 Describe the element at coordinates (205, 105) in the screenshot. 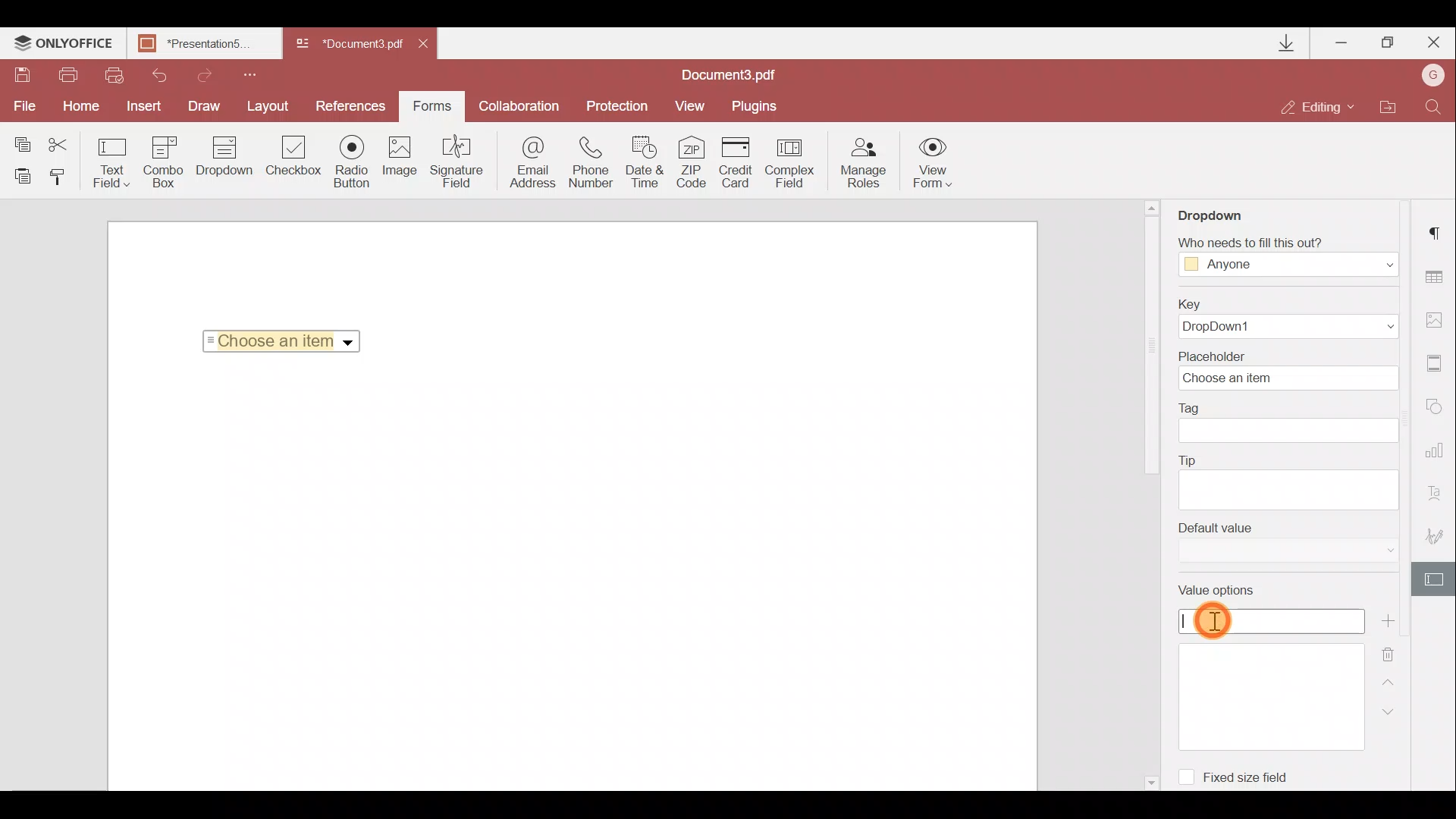

I see `Draw` at that location.